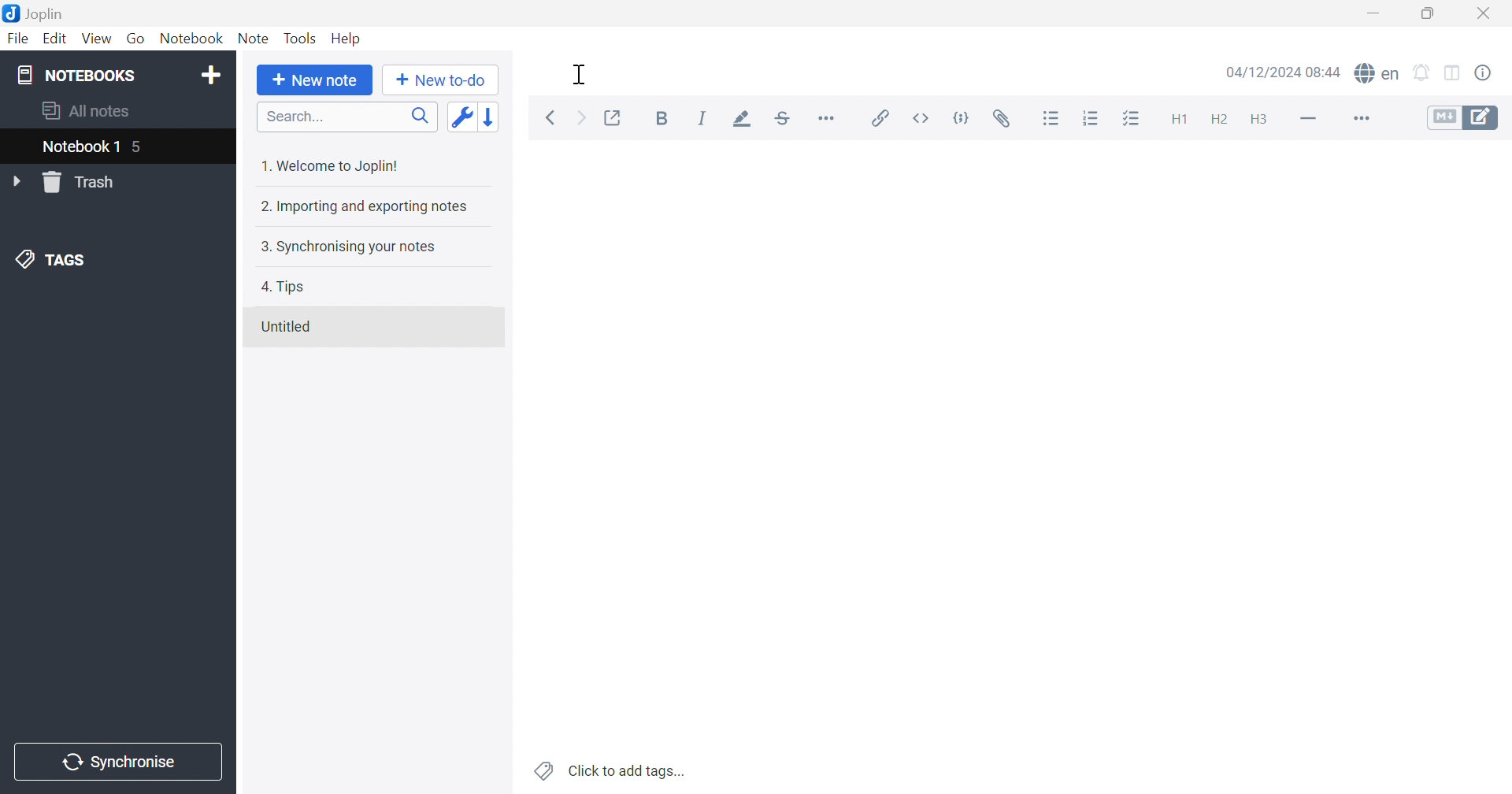  Describe the element at coordinates (1360, 120) in the screenshot. I see `More` at that location.